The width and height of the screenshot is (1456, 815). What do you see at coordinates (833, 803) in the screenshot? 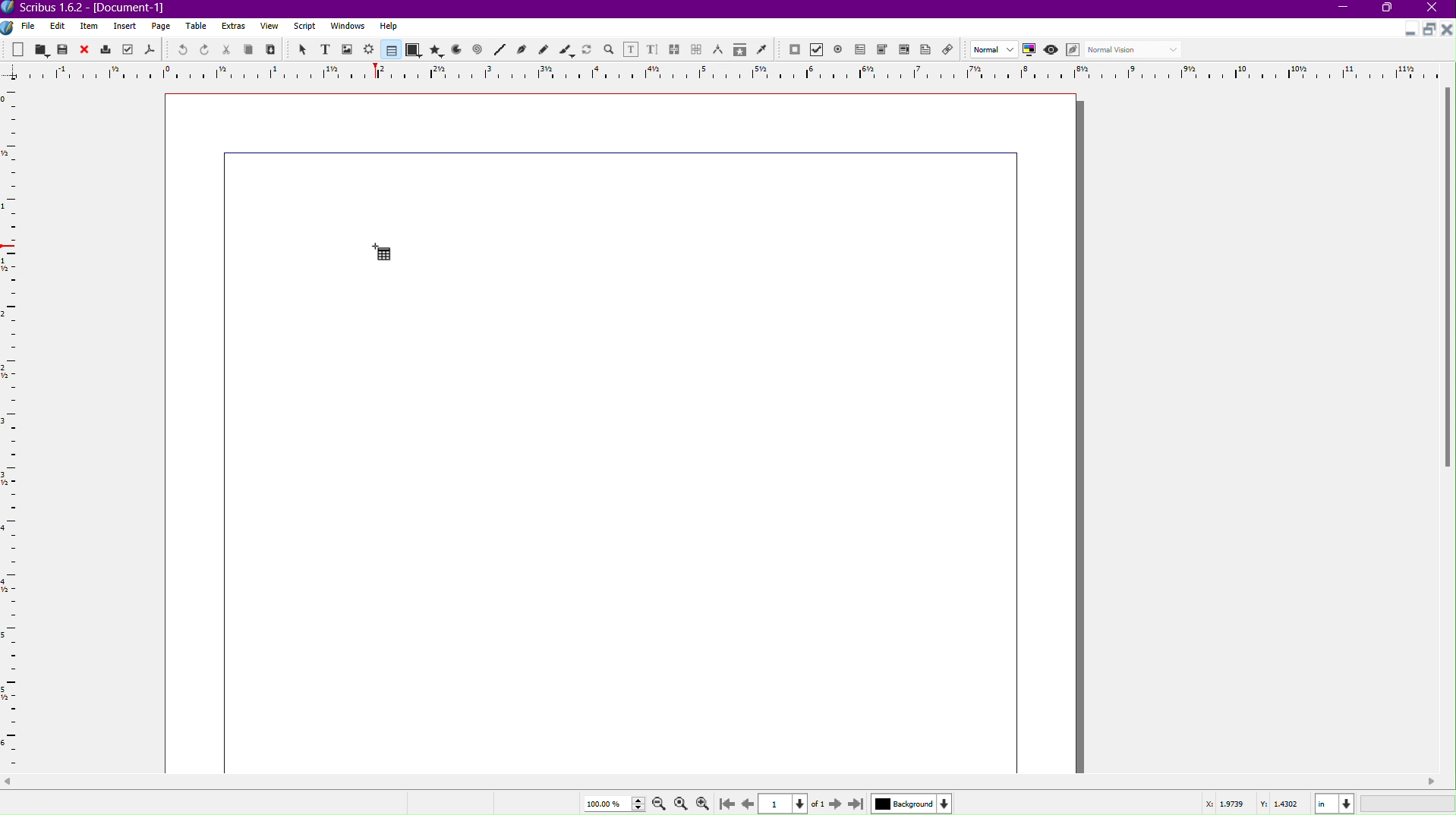
I see `Next Page` at bounding box center [833, 803].